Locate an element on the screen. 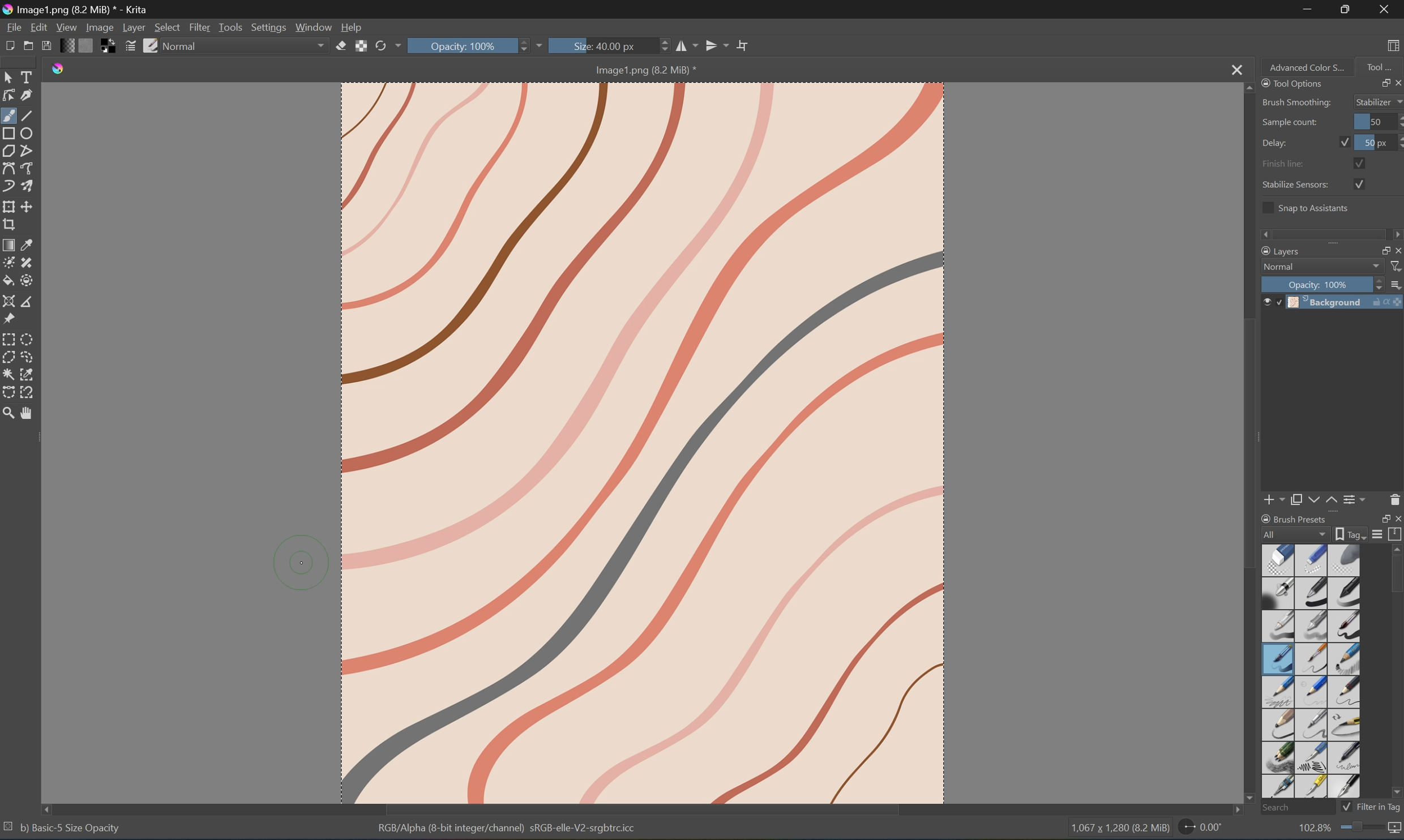 The width and height of the screenshot is (1404, 840). Draw patch tool is located at coordinates (25, 263).